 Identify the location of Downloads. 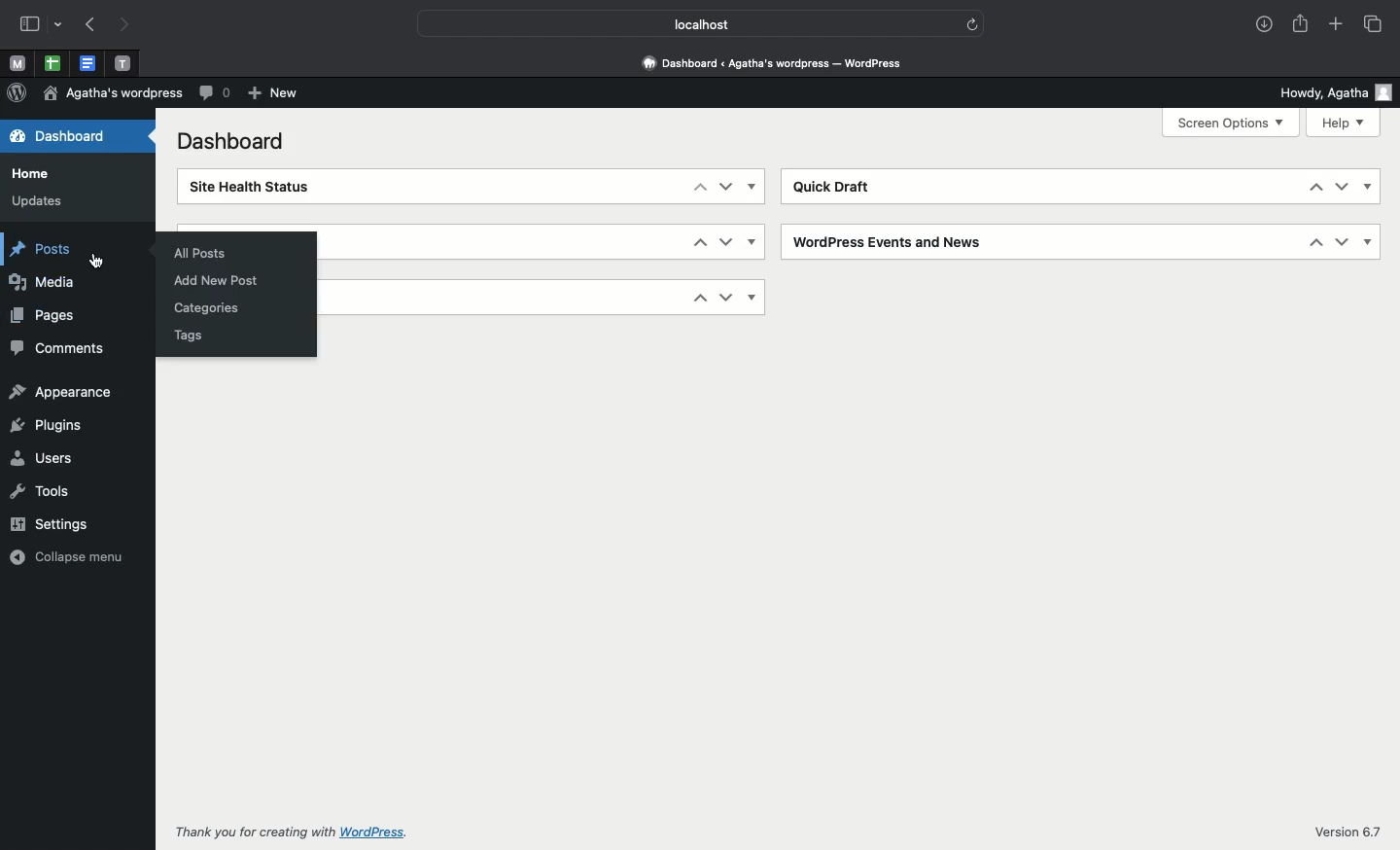
(1261, 22).